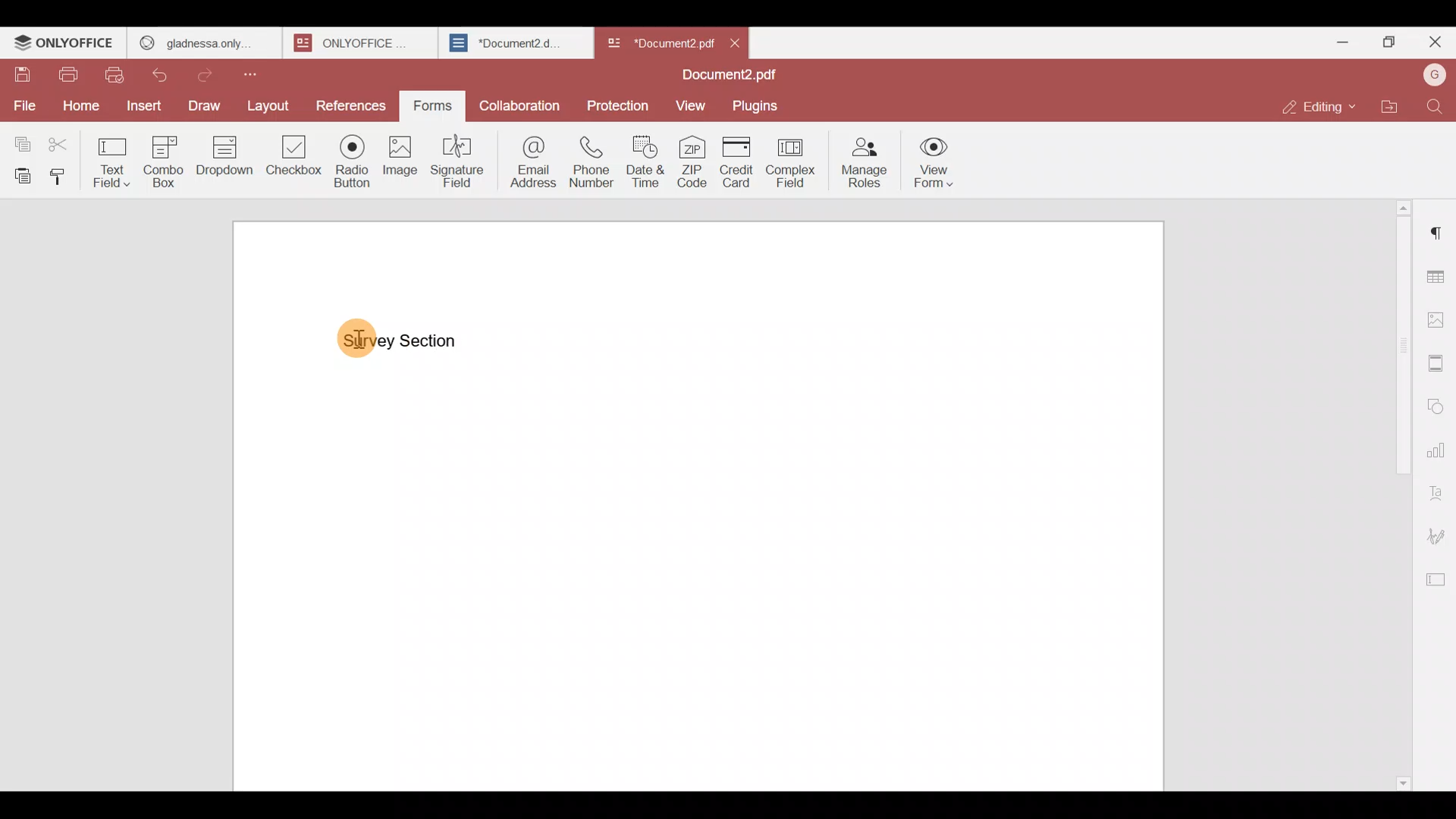 The image size is (1456, 819). I want to click on Signature field, so click(461, 160).